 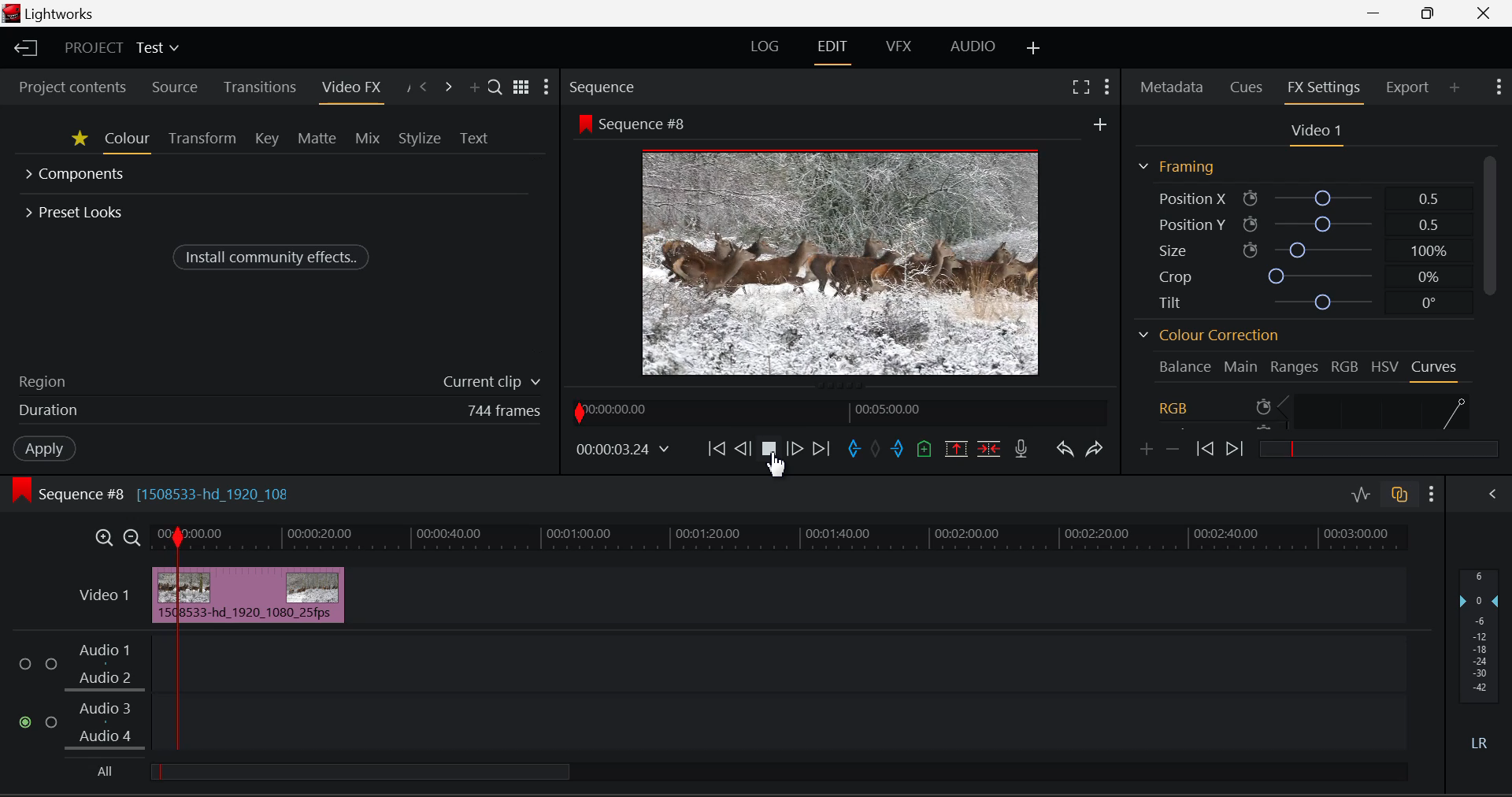 I want to click on Position X, so click(x=1296, y=198).